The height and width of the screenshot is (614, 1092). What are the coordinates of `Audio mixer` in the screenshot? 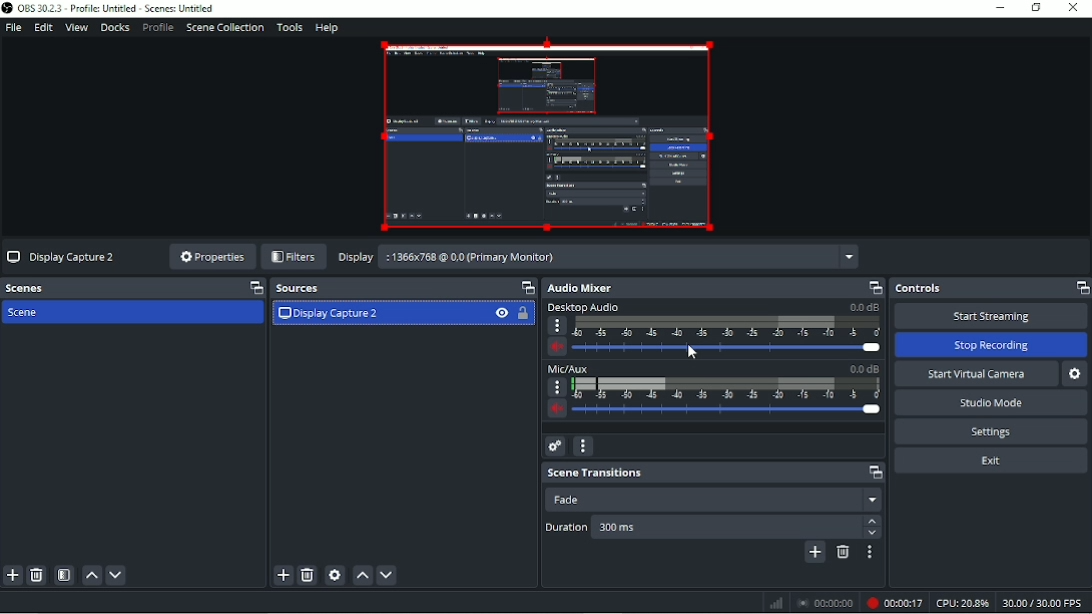 It's located at (712, 288).